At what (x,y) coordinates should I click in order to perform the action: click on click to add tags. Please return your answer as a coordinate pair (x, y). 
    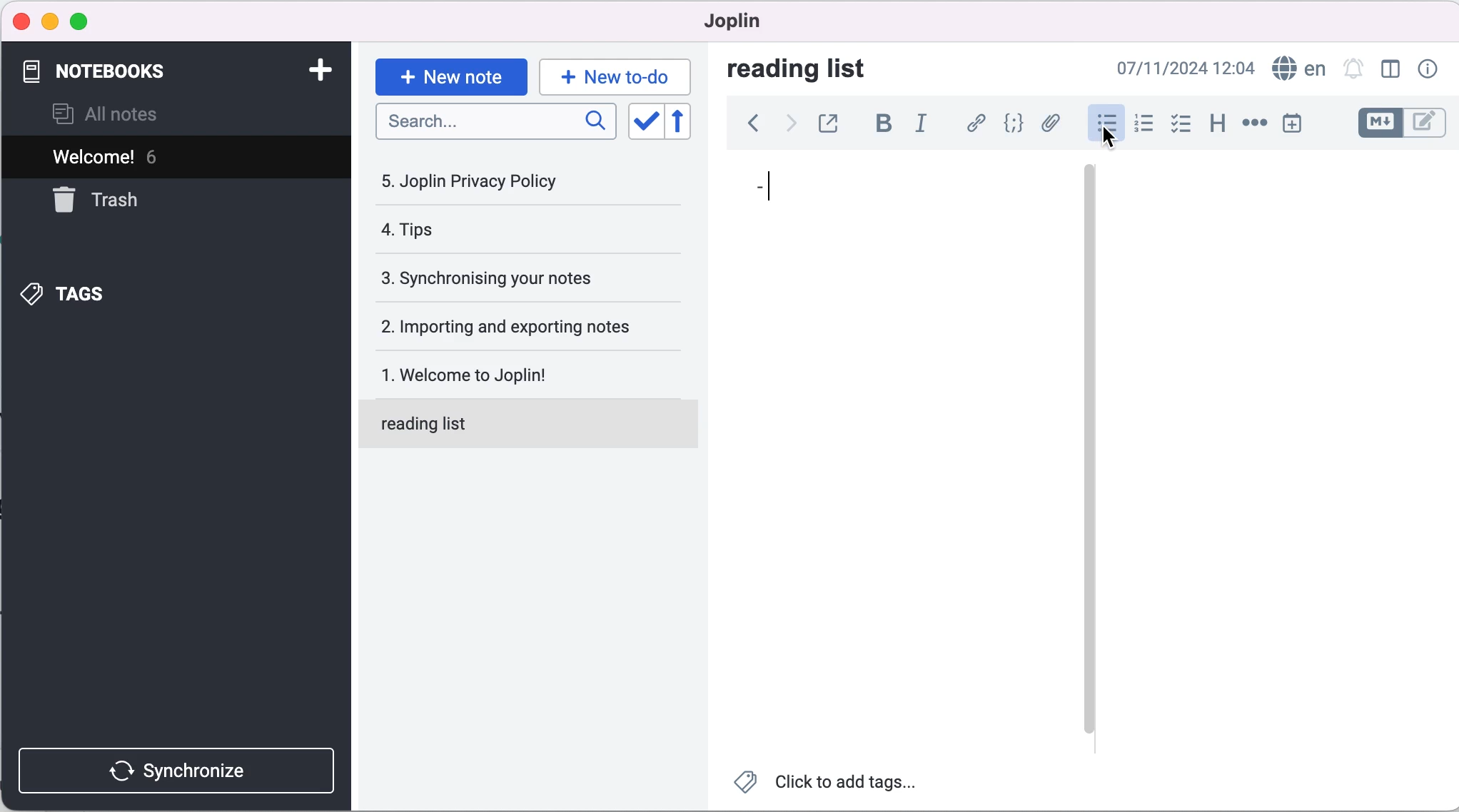
    Looking at the image, I should click on (829, 787).